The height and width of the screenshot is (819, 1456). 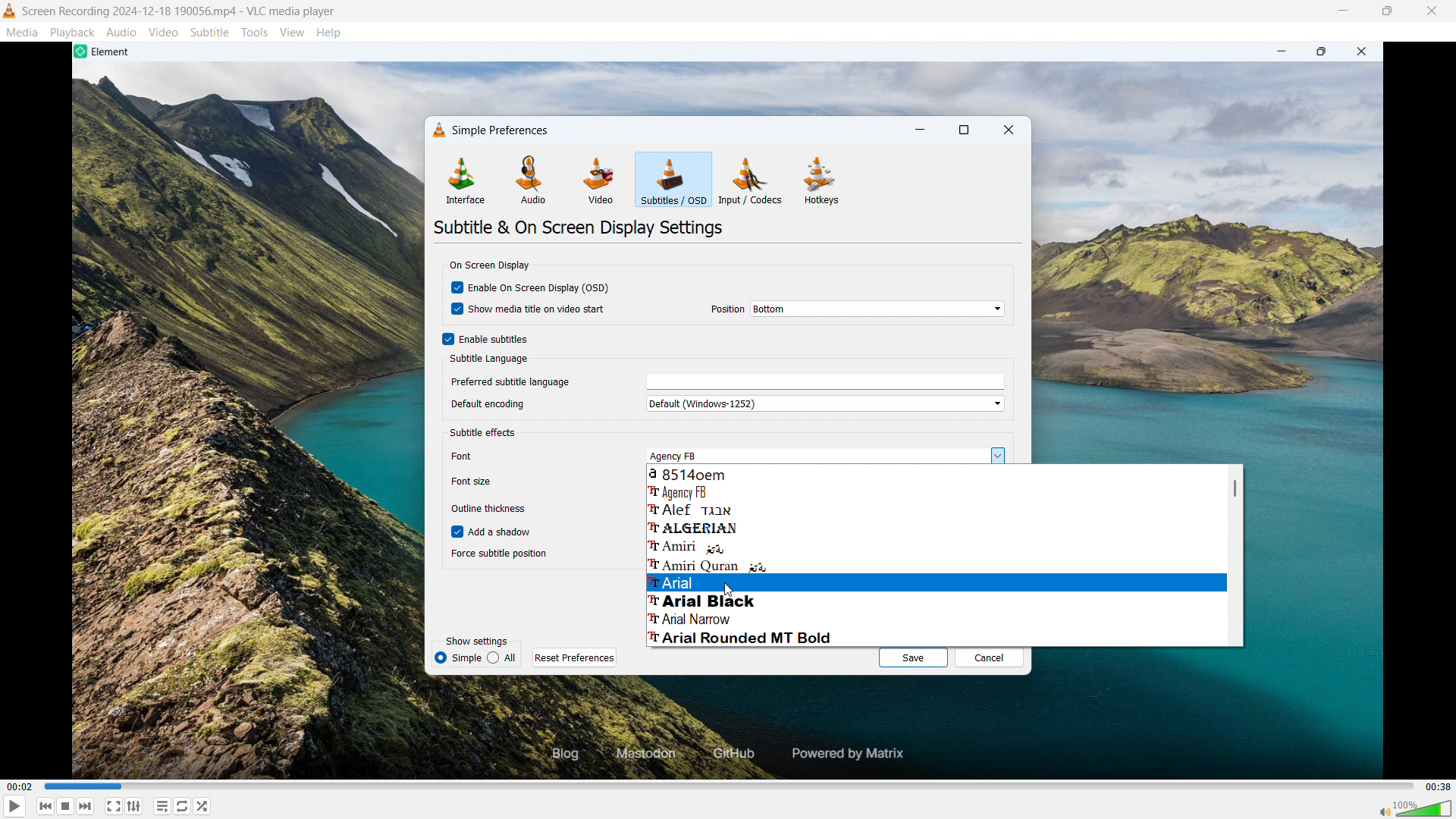 What do you see at coordinates (488, 265) in the screenshot?
I see `on screen display` at bounding box center [488, 265].